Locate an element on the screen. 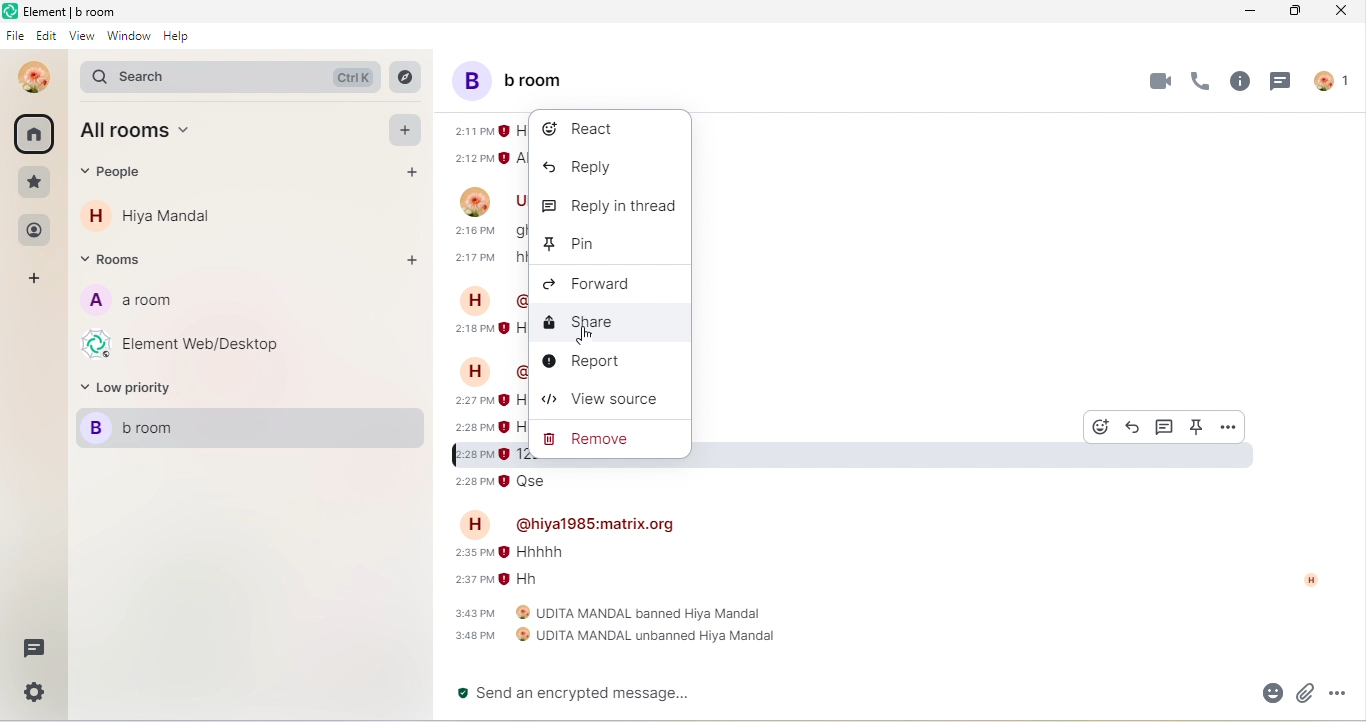  a room is located at coordinates (143, 305).